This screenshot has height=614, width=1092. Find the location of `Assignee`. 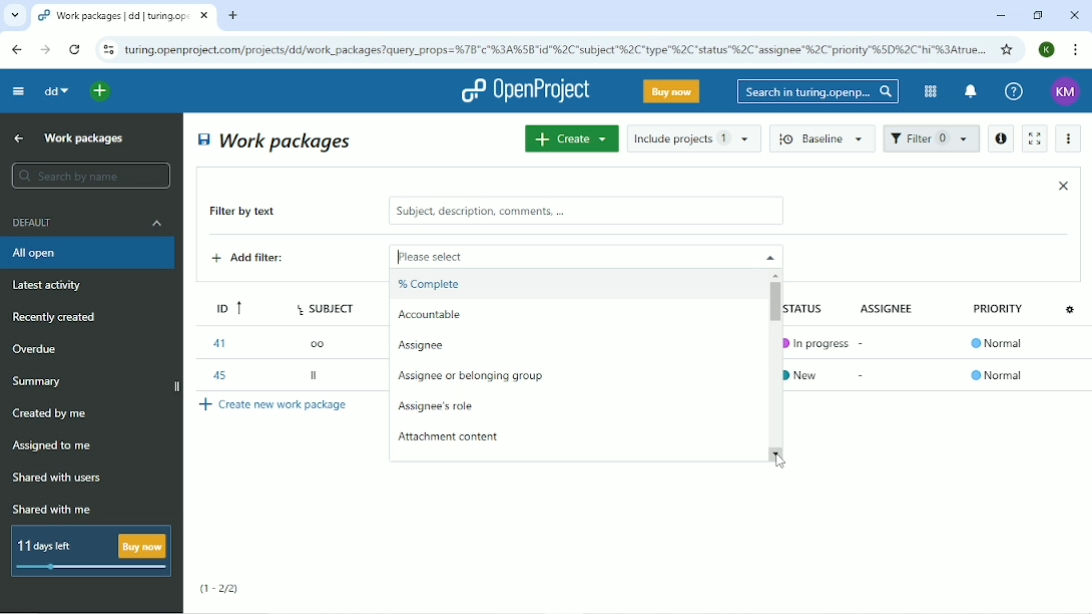

Assignee is located at coordinates (891, 307).